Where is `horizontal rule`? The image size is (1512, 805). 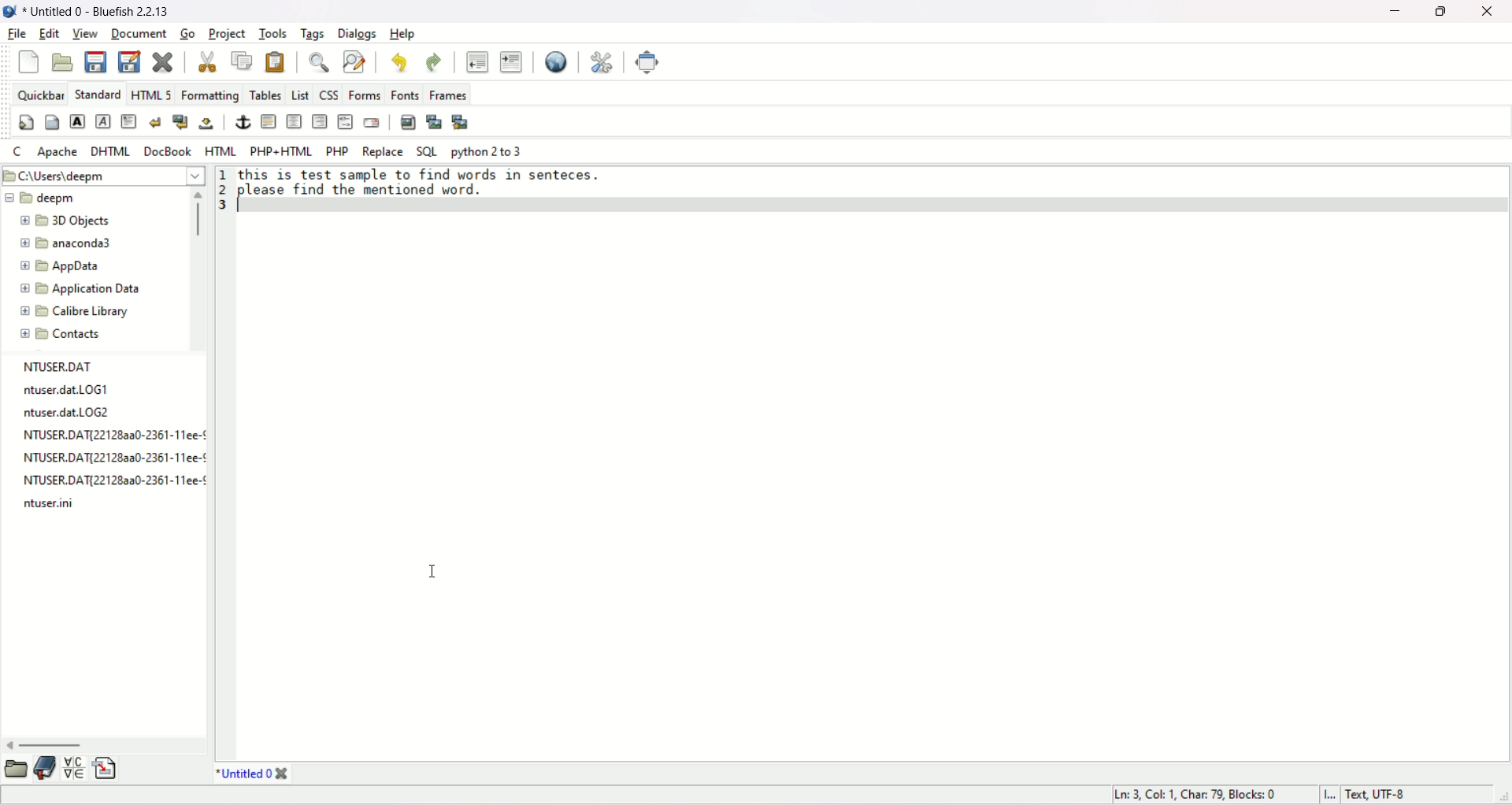 horizontal rule is located at coordinates (268, 121).